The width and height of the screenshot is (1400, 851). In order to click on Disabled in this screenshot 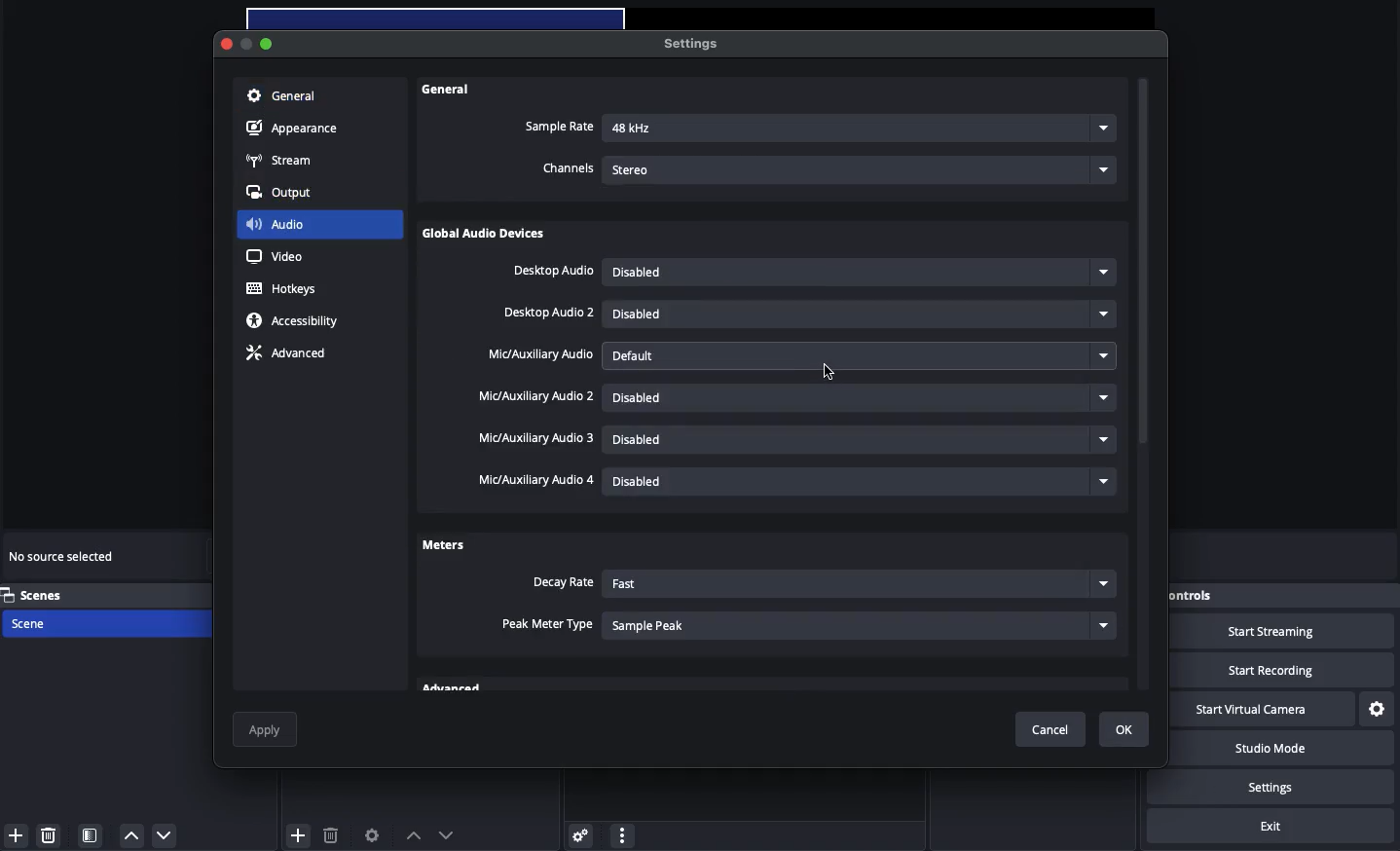, I will do `click(858, 273)`.